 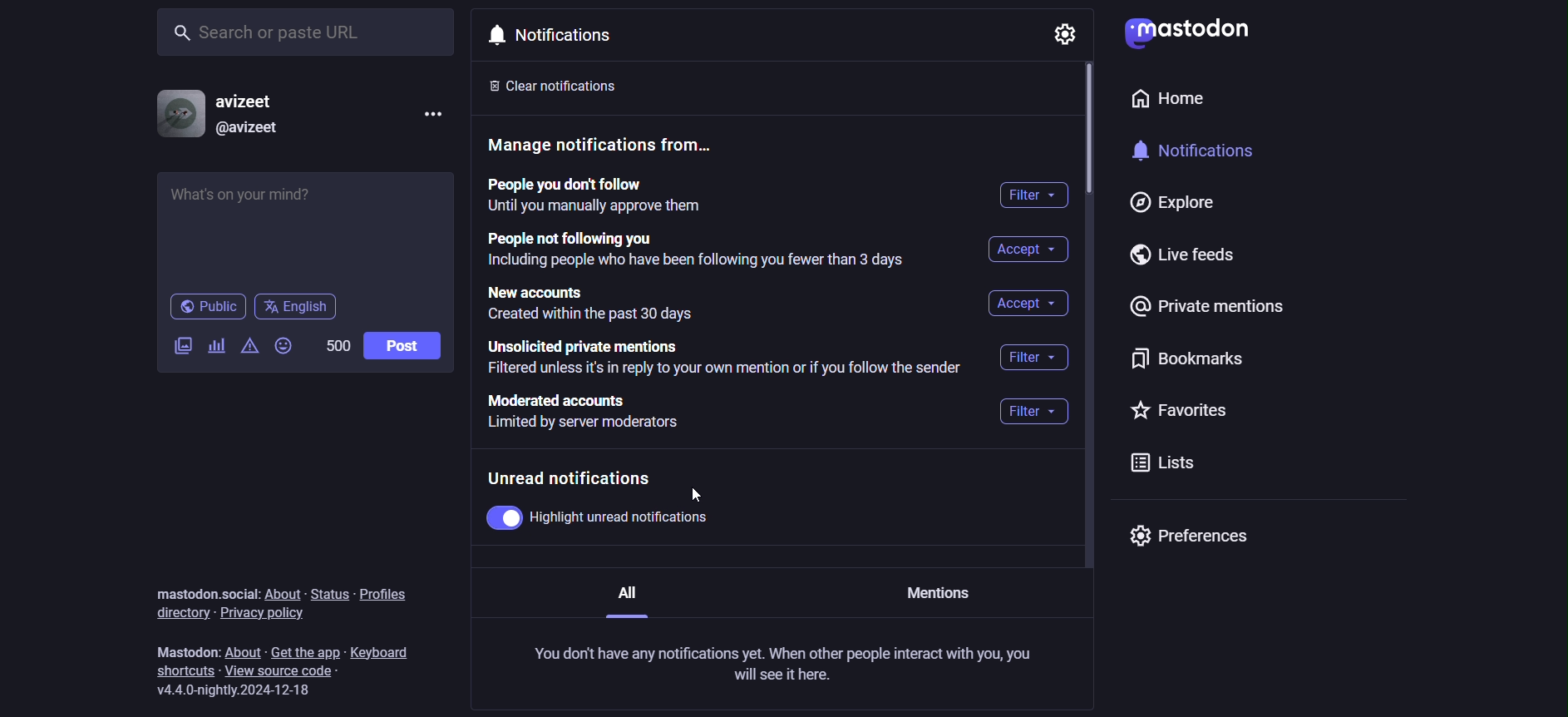 I want to click on preferences, so click(x=1191, y=535).